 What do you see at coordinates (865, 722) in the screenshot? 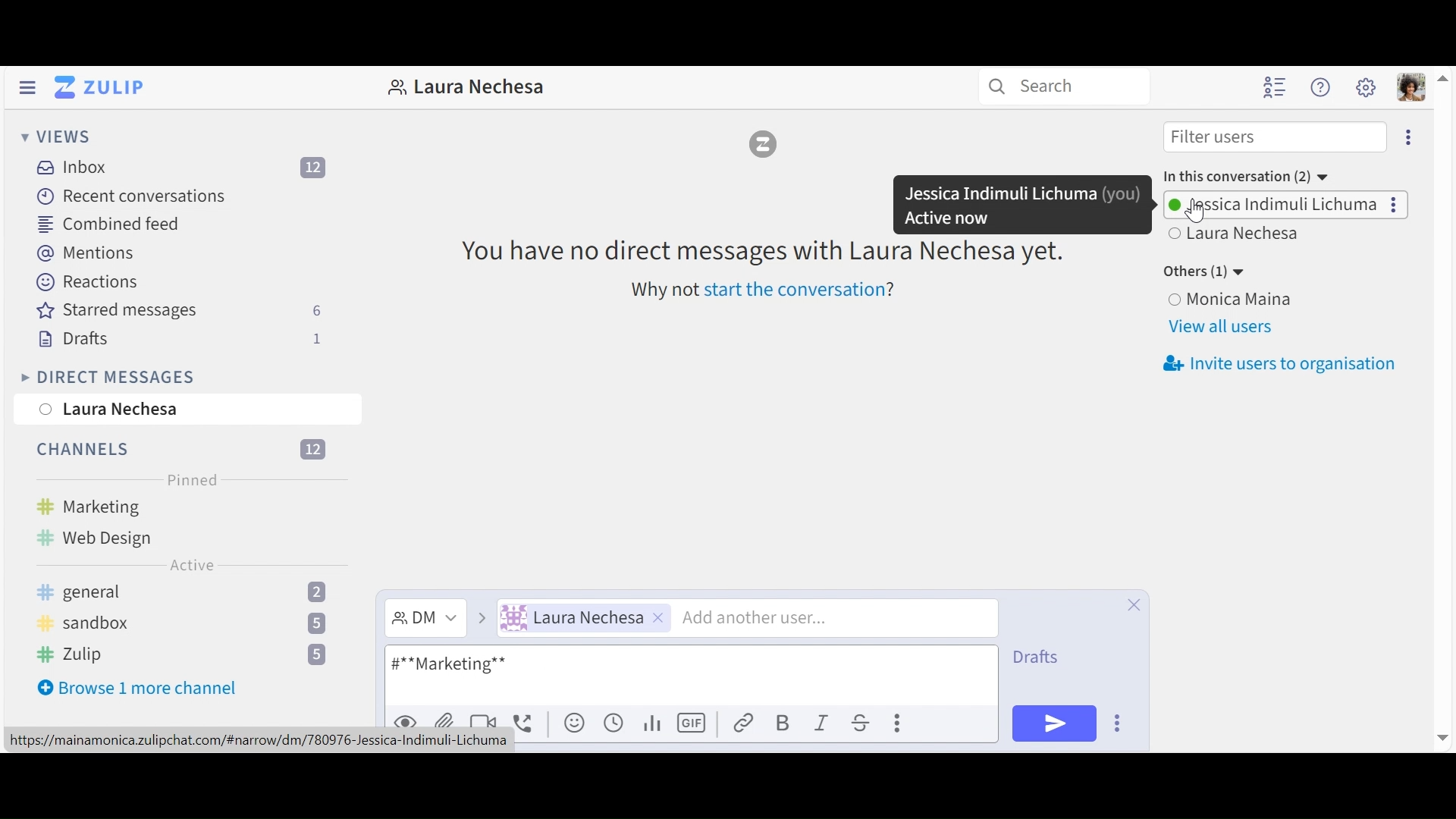
I see `Strikethrough` at bounding box center [865, 722].